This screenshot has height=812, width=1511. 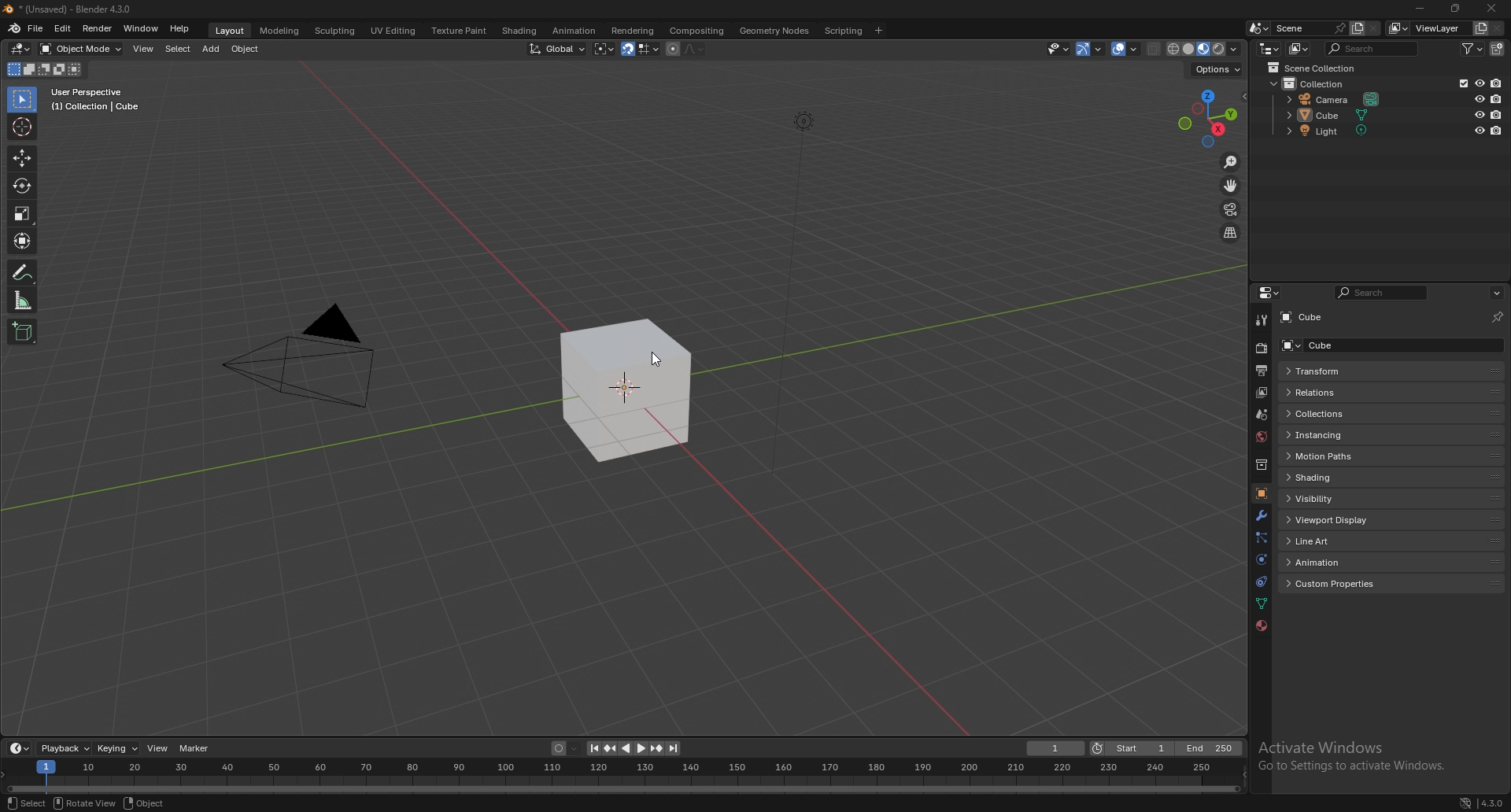 I want to click on selectibility and visibility, so click(x=1059, y=49).